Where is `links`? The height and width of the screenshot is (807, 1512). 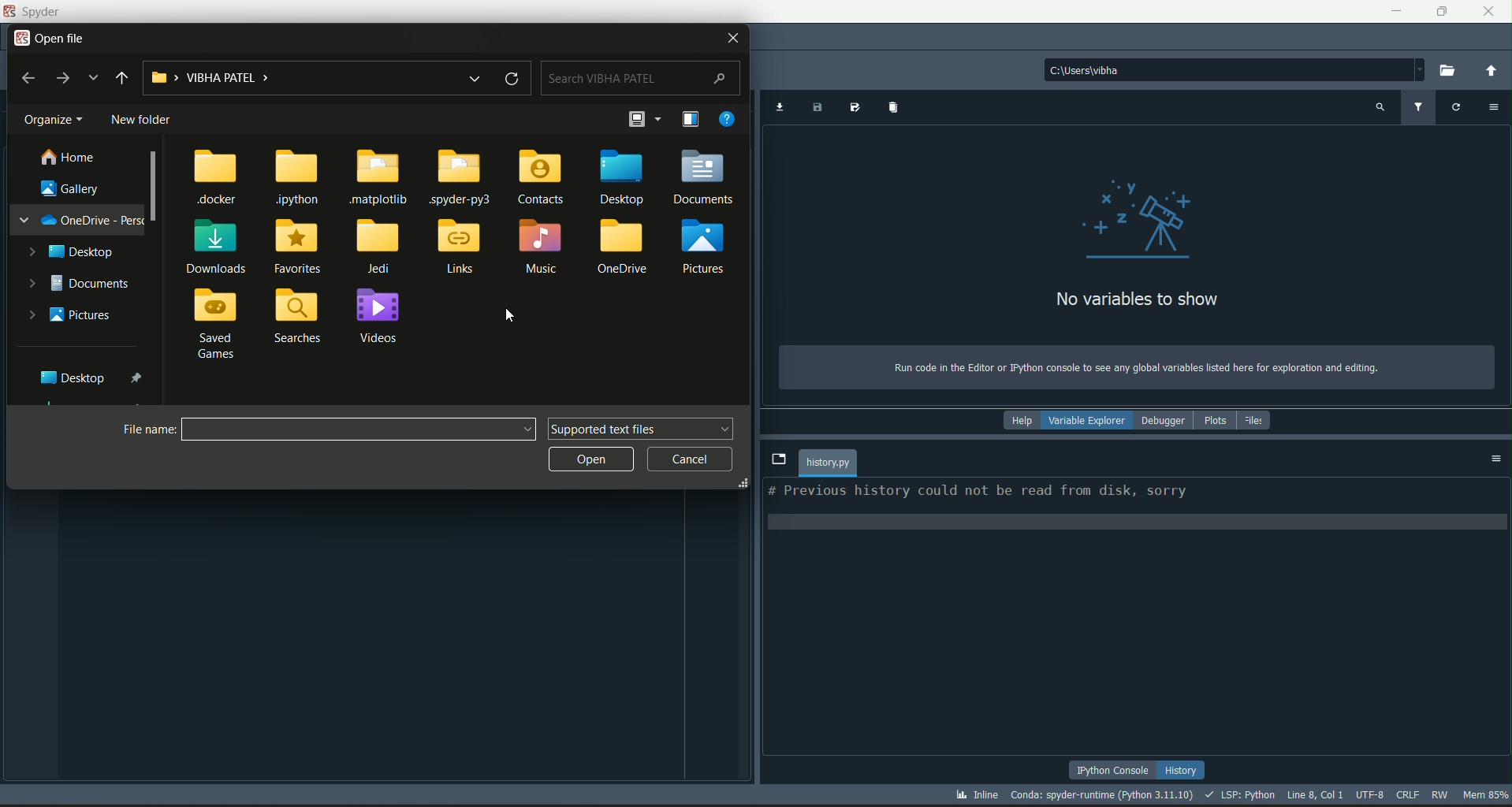
links is located at coordinates (460, 246).